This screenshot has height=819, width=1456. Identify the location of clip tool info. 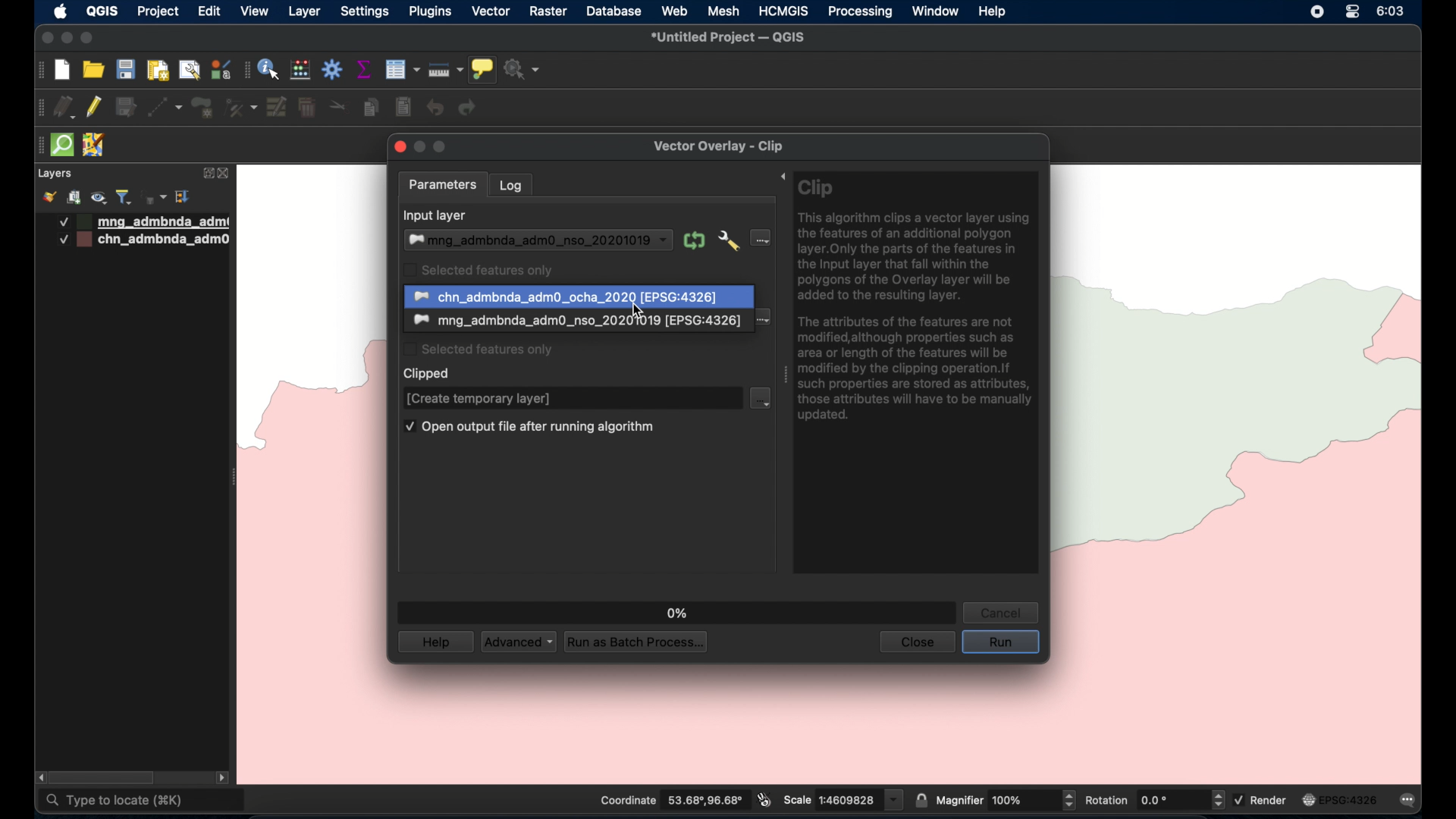
(918, 372).